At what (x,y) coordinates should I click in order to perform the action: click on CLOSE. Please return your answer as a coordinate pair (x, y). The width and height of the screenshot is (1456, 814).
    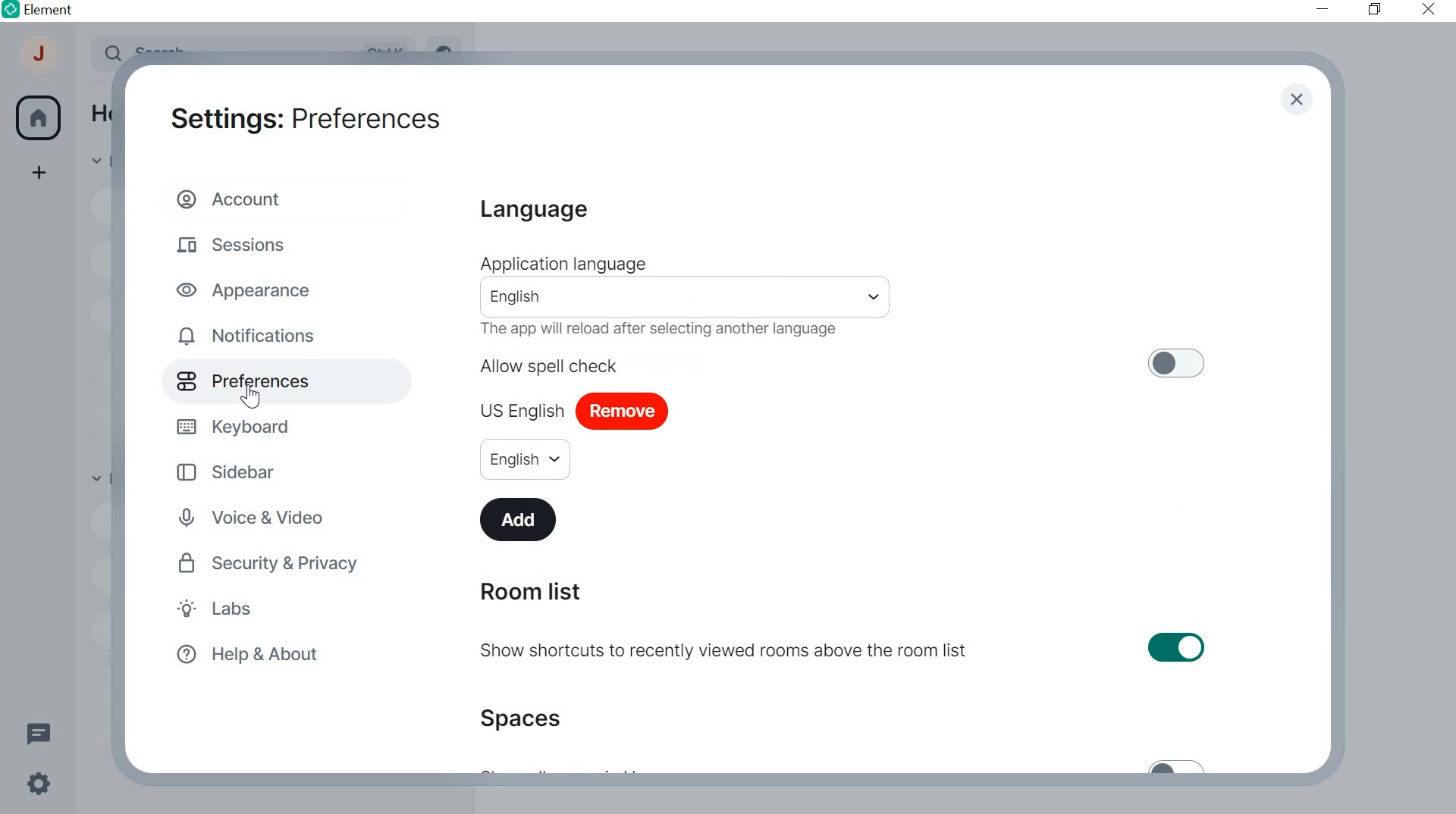
    Looking at the image, I should click on (1424, 8).